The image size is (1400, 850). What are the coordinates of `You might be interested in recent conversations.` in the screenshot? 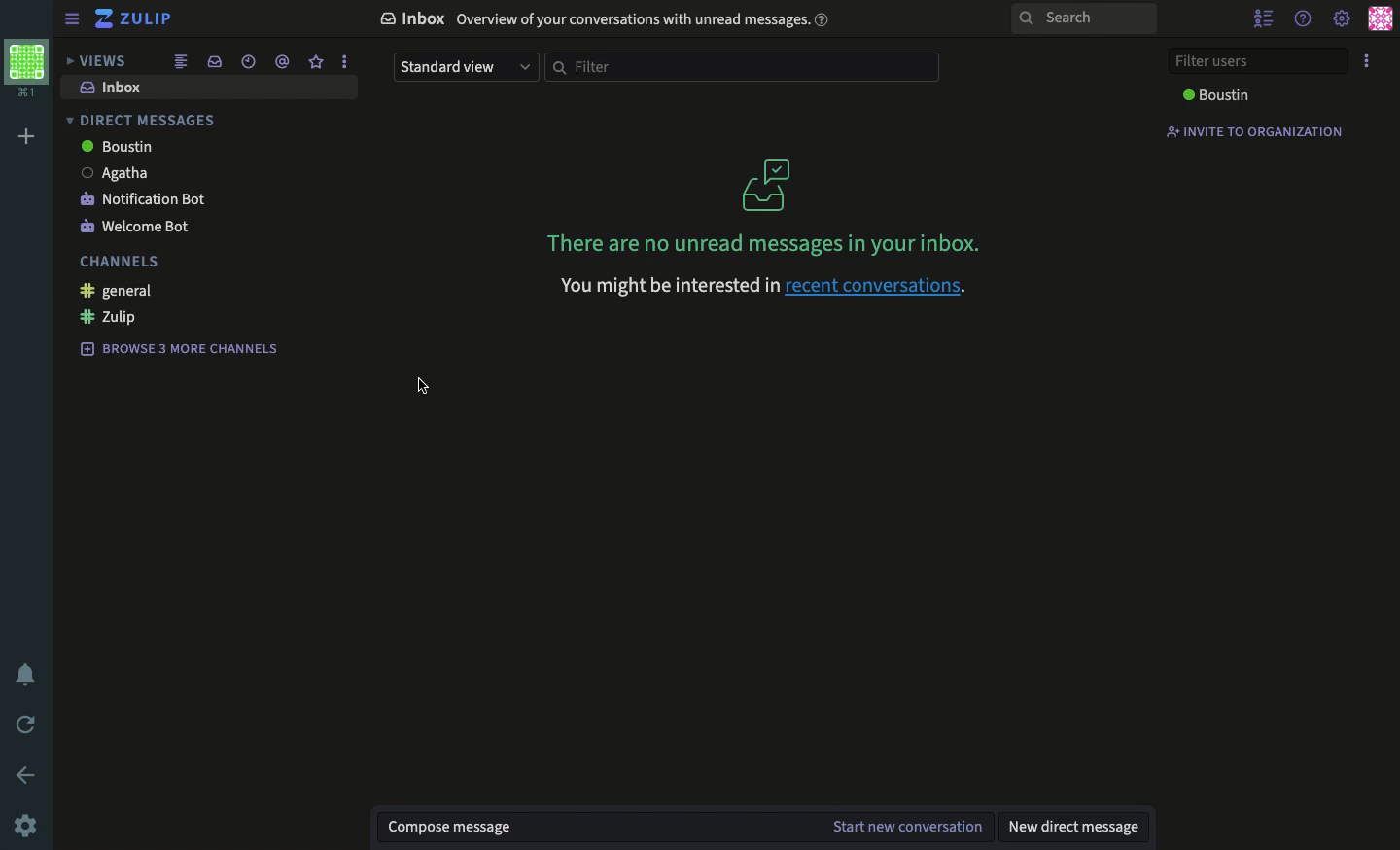 It's located at (659, 286).